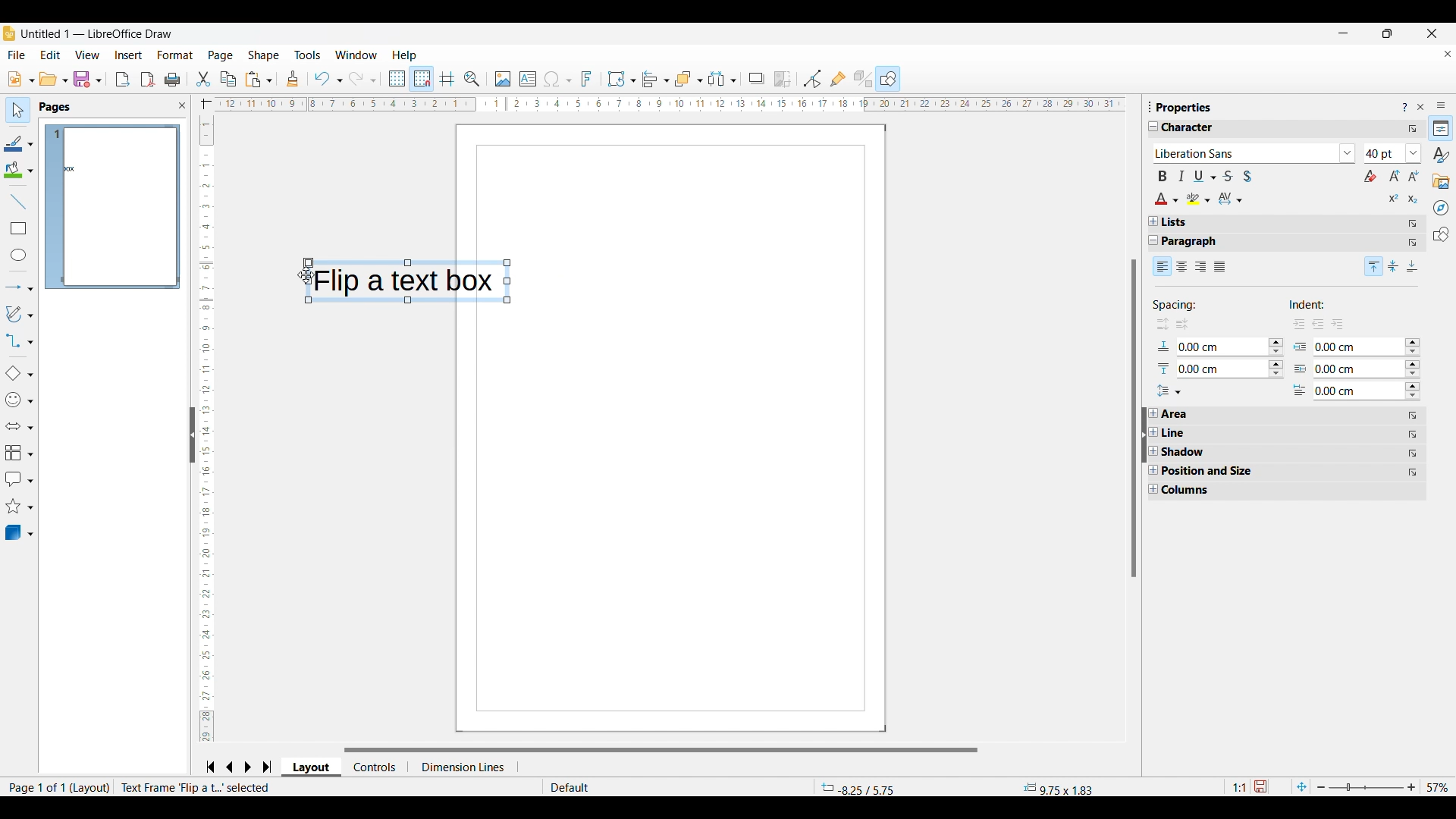 This screenshot has height=819, width=1456. I want to click on Paste, so click(259, 80).